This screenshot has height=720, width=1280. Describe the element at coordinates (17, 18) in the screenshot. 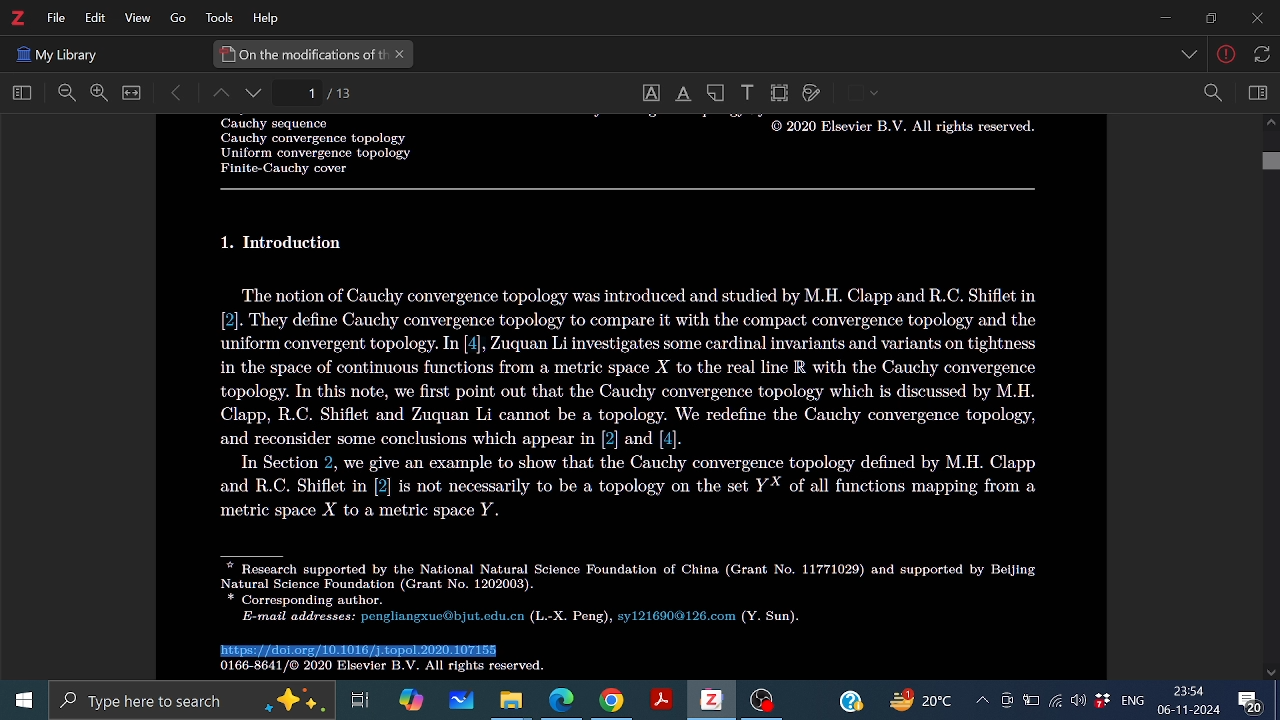

I see `Zotero` at that location.